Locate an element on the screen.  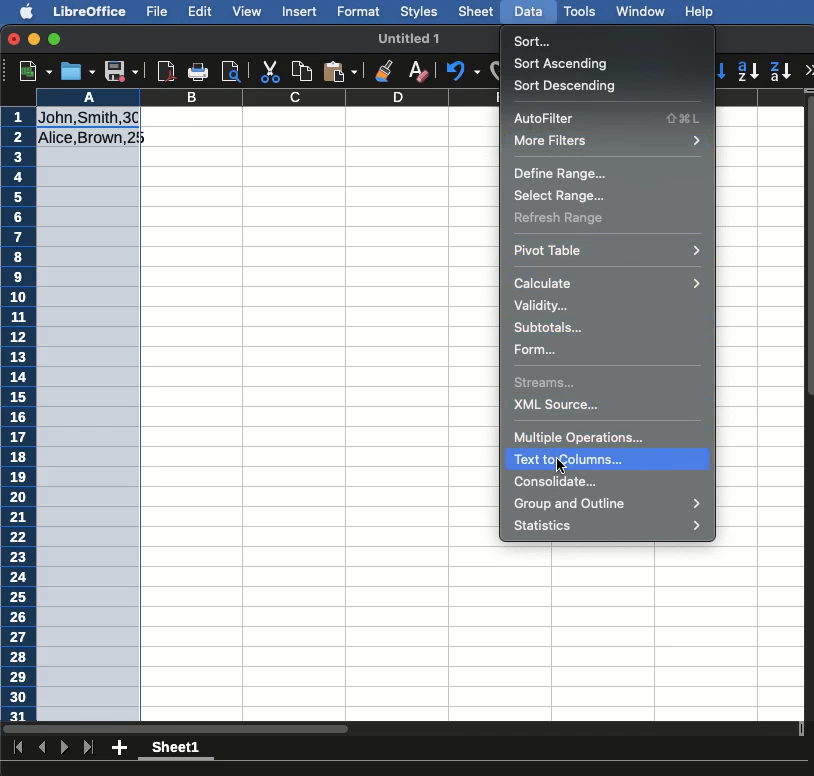
Close is located at coordinates (13, 39).